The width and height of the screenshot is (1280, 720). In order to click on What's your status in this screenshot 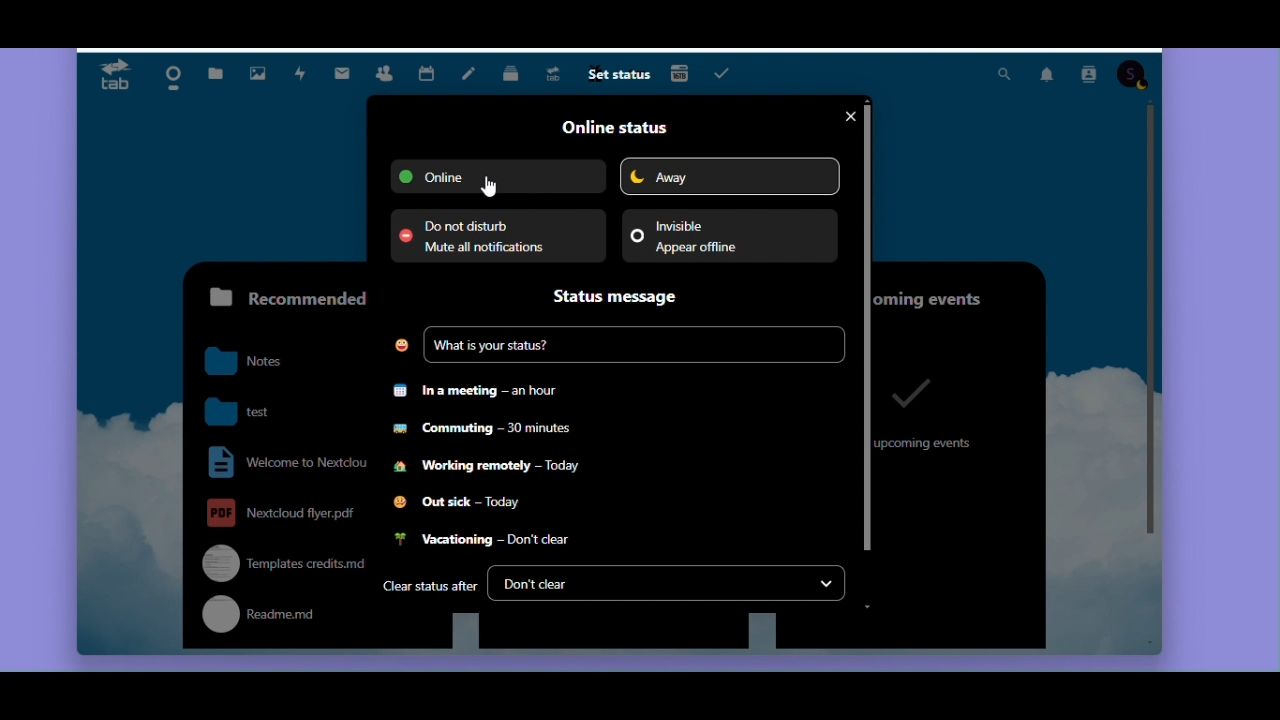, I will do `click(618, 346)`.